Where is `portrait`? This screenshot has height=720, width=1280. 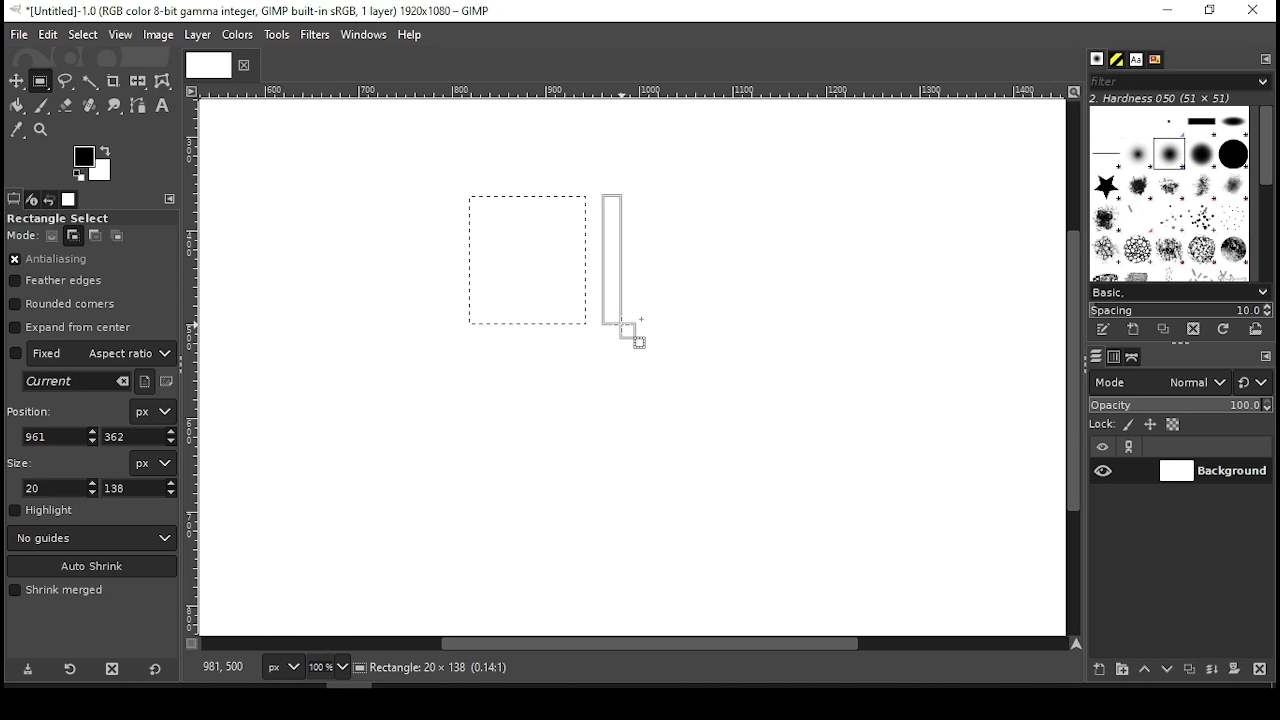
portrait is located at coordinates (146, 381).